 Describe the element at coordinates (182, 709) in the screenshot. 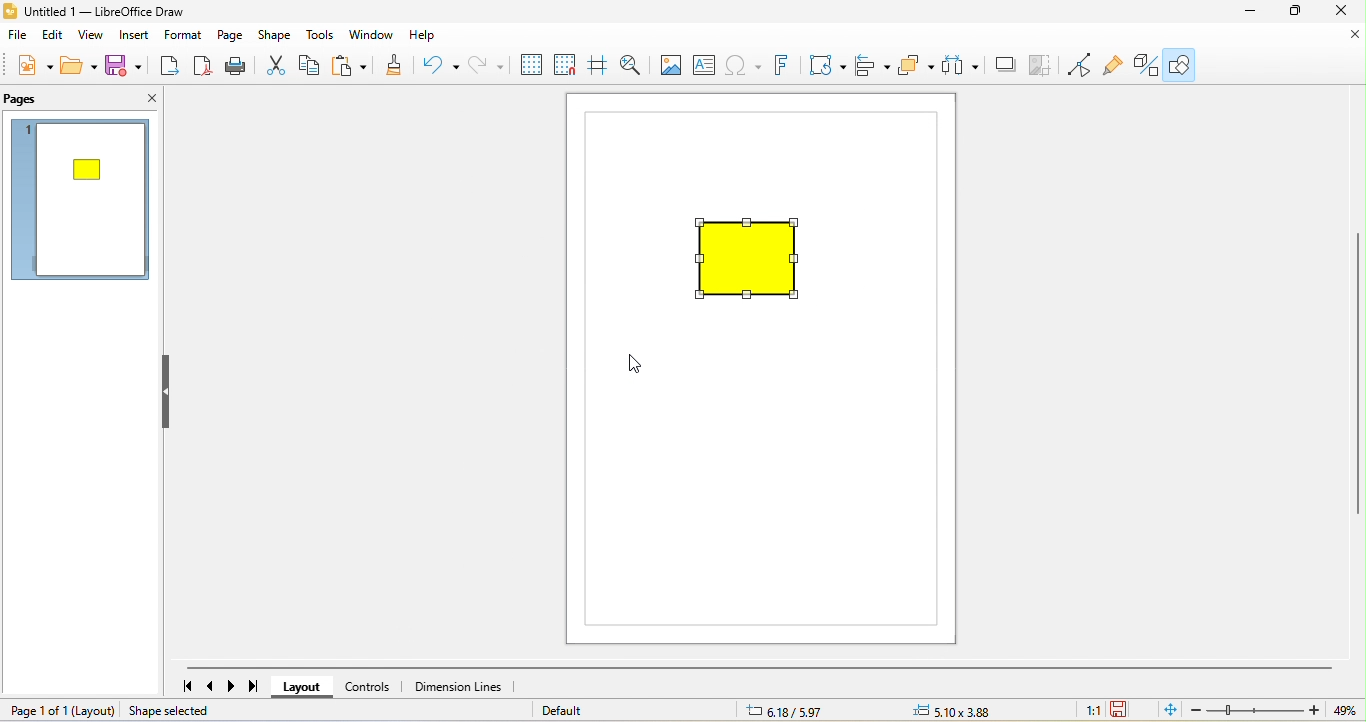

I see `shape selected` at that location.